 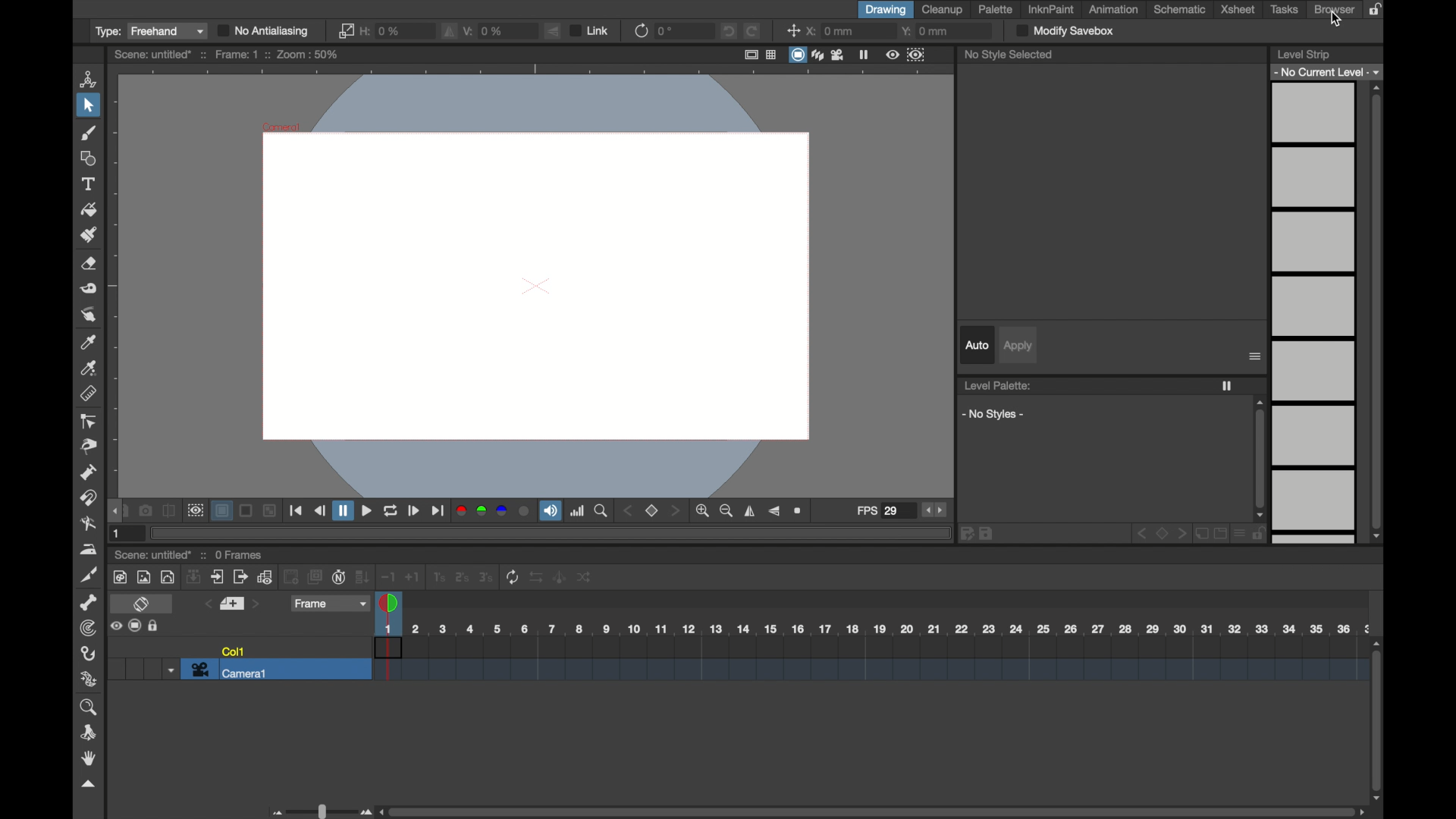 What do you see at coordinates (89, 289) in the screenshot?
I see `tape tool` at bounding box center [89, 289].